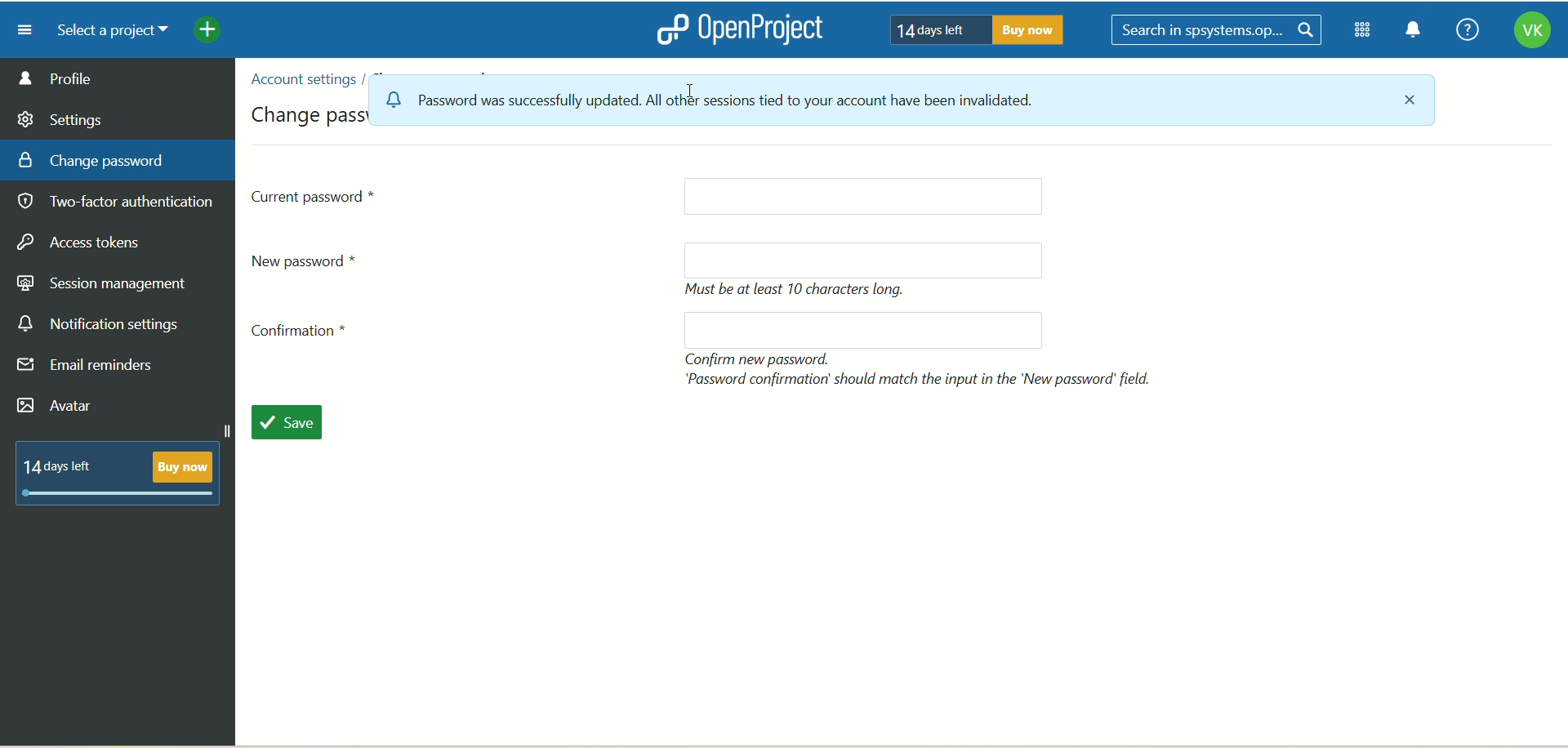 This screenshot has width=1568, height=748. Describe the element at coordinates (801, 291) in the screenshot. I see `text` at that location.